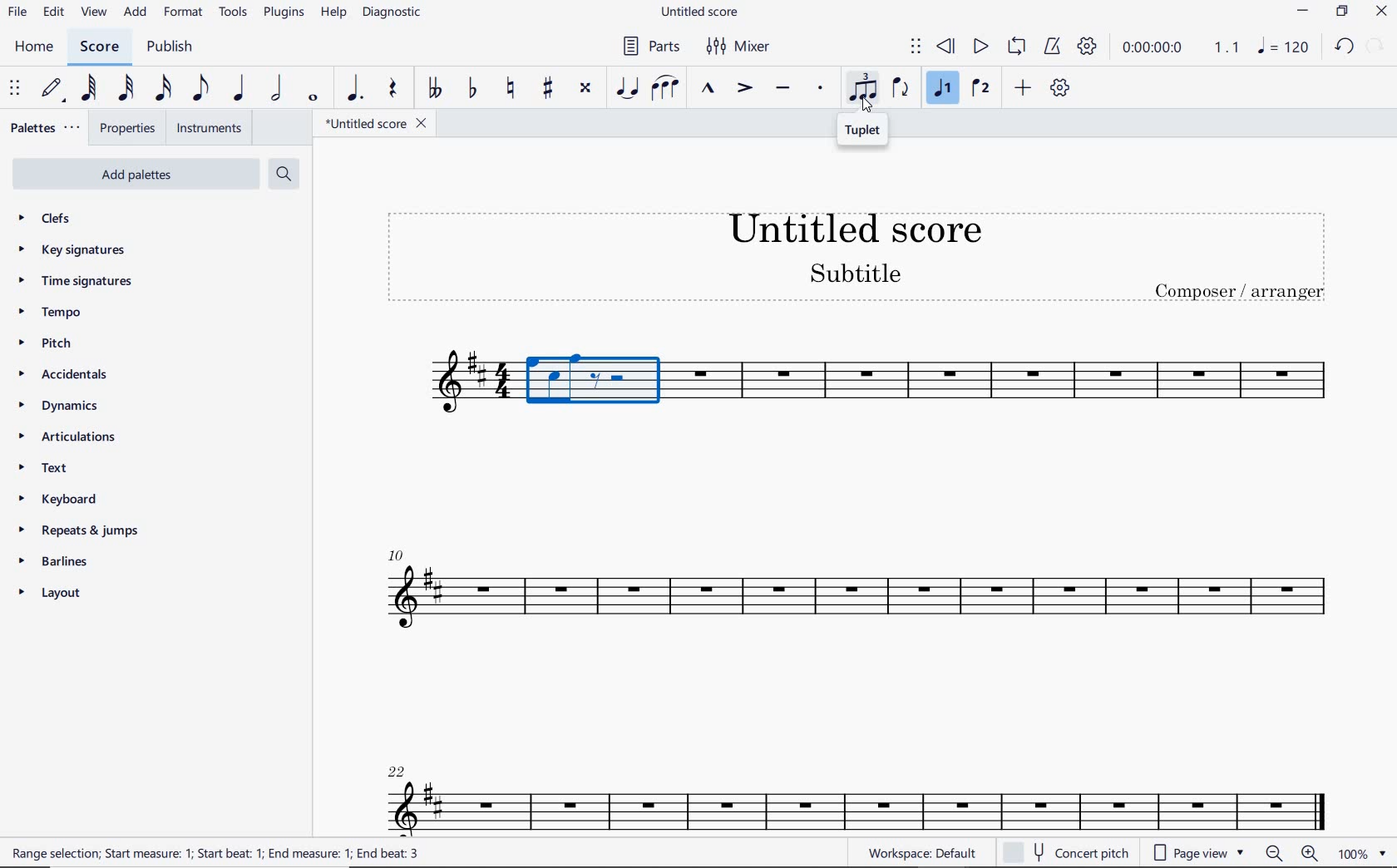 The width and height of the screenshot is (1397, 868). Describe the element at coordinates (473, 89) in the screenshot. I see `TOGGLE FLAT` at that location.